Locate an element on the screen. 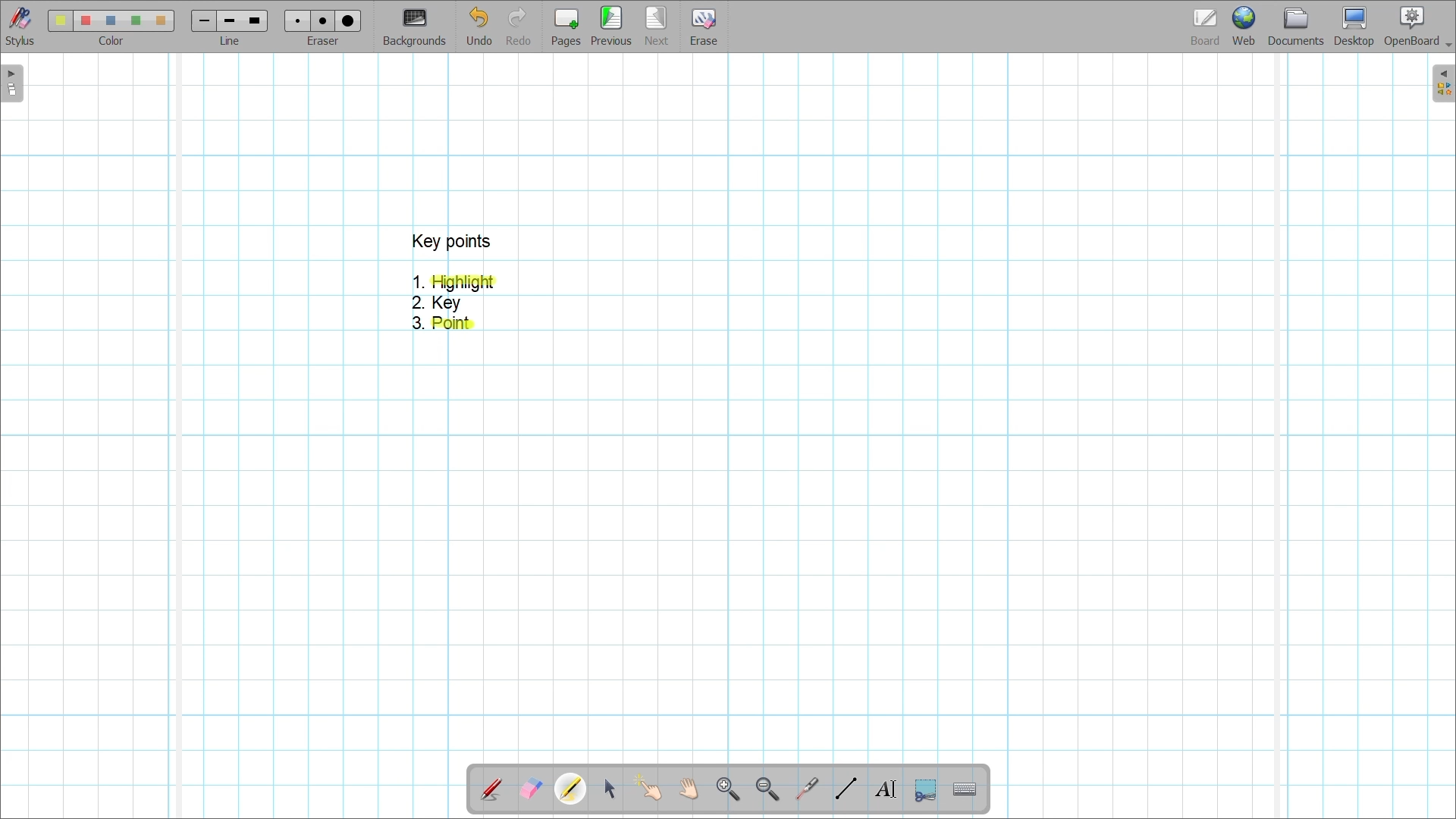 The image size is (1456, 819). Change background is located at coordinates (414, 27).